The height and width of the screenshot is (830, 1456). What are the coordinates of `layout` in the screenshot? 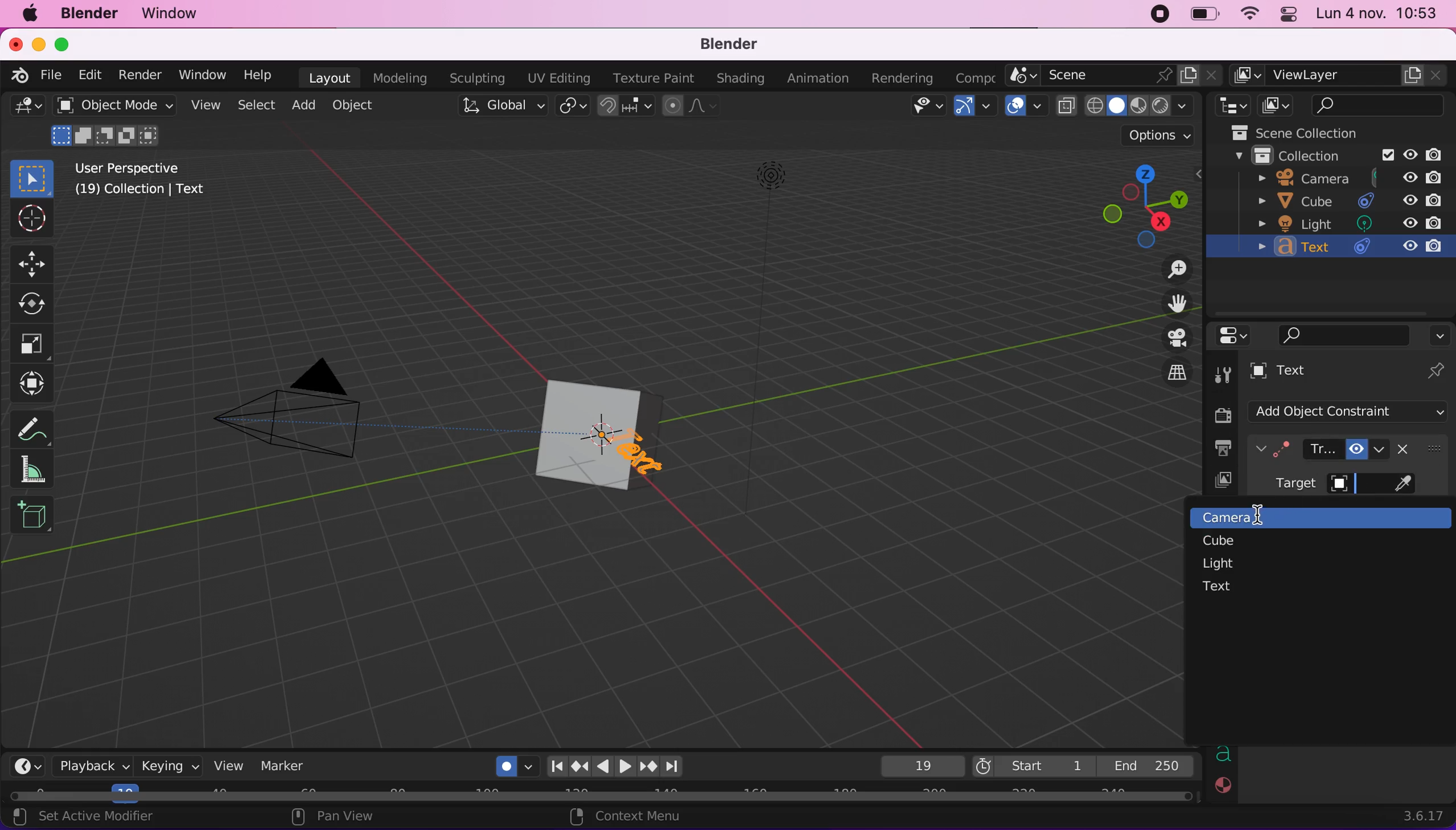 It's located at (331, 76).